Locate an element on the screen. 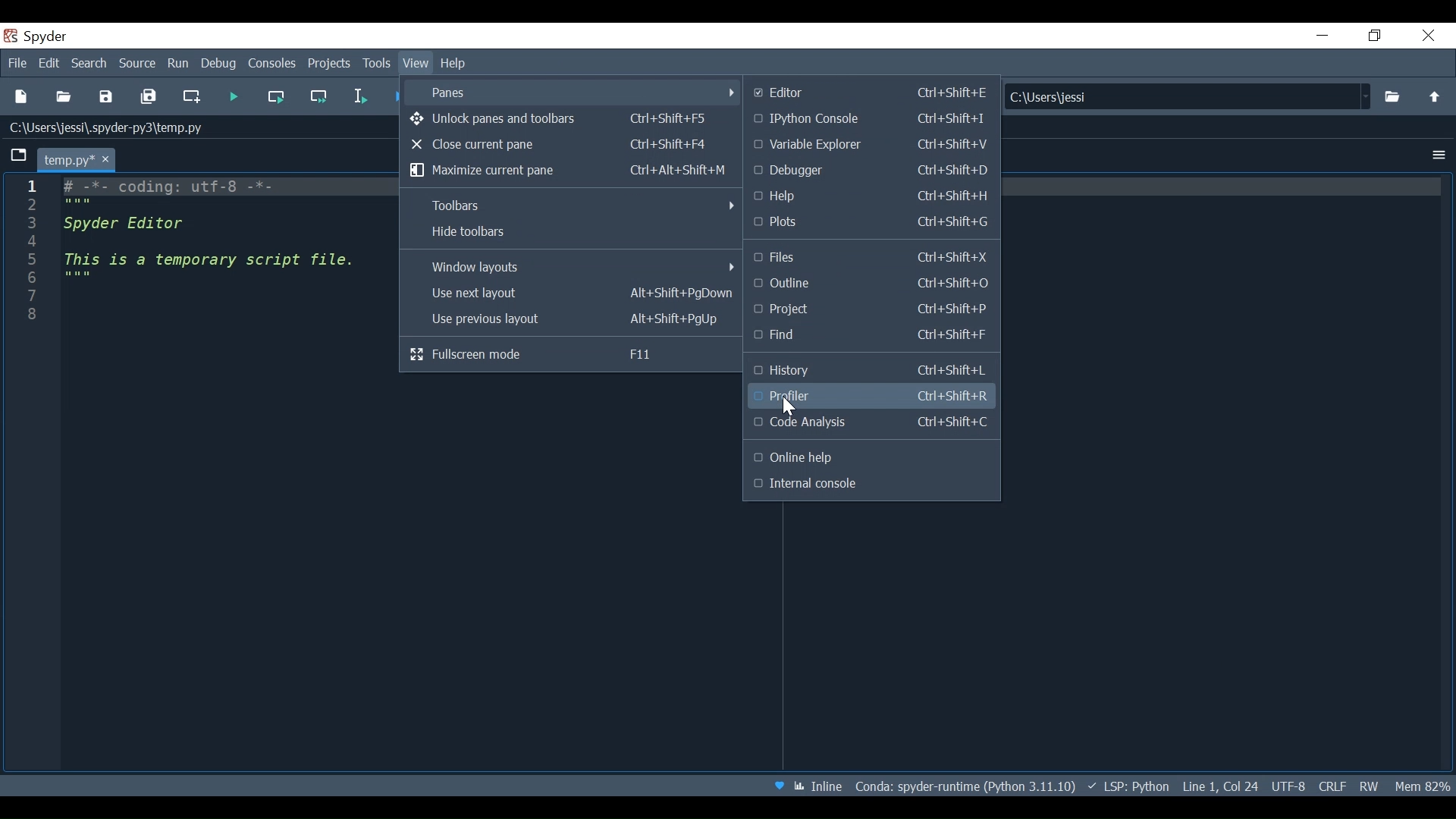 This screenshot has height=819, width=1456. Edit is located at coordinates (49, 63).